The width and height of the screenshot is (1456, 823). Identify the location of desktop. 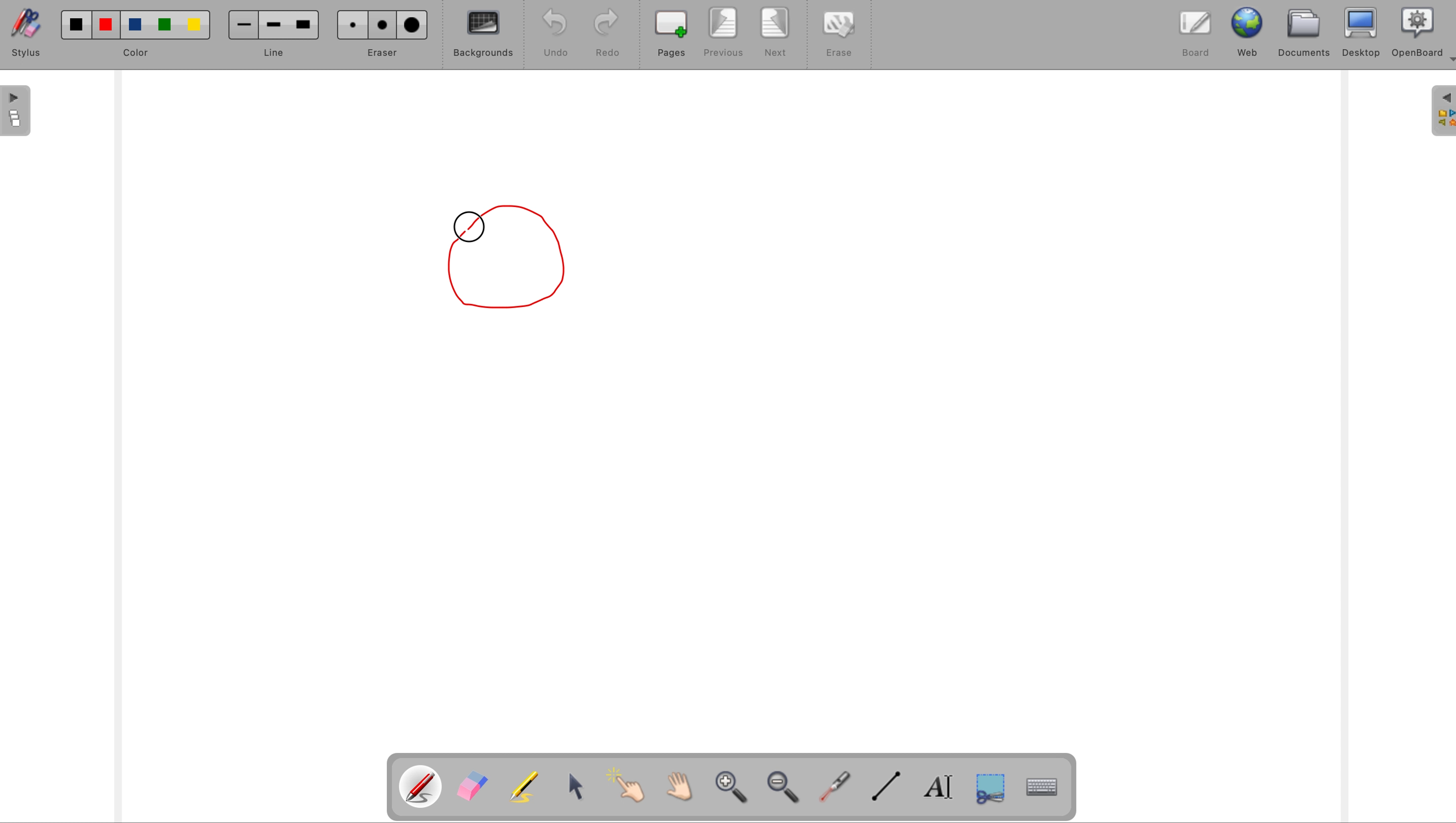
(1363, 32).